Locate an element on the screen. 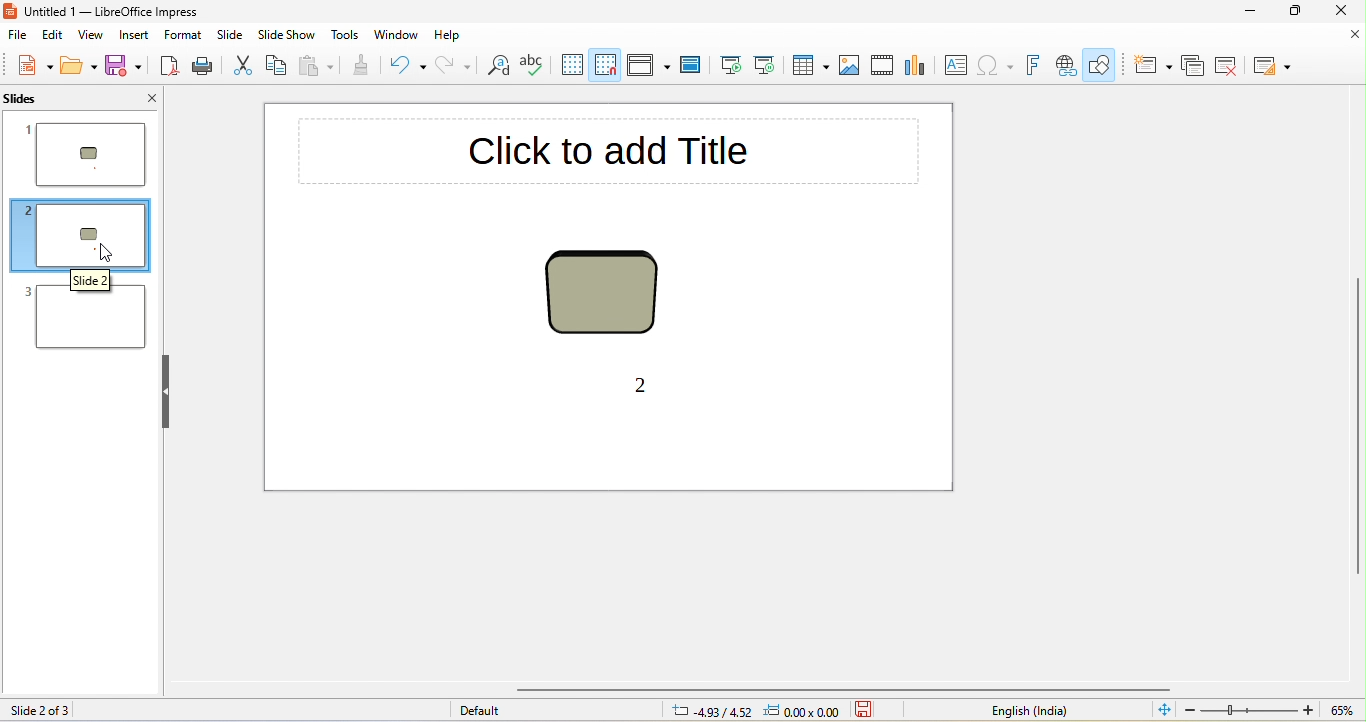 This screenshot has height=722, width=1366. text box is located at coordinates (953, 65).